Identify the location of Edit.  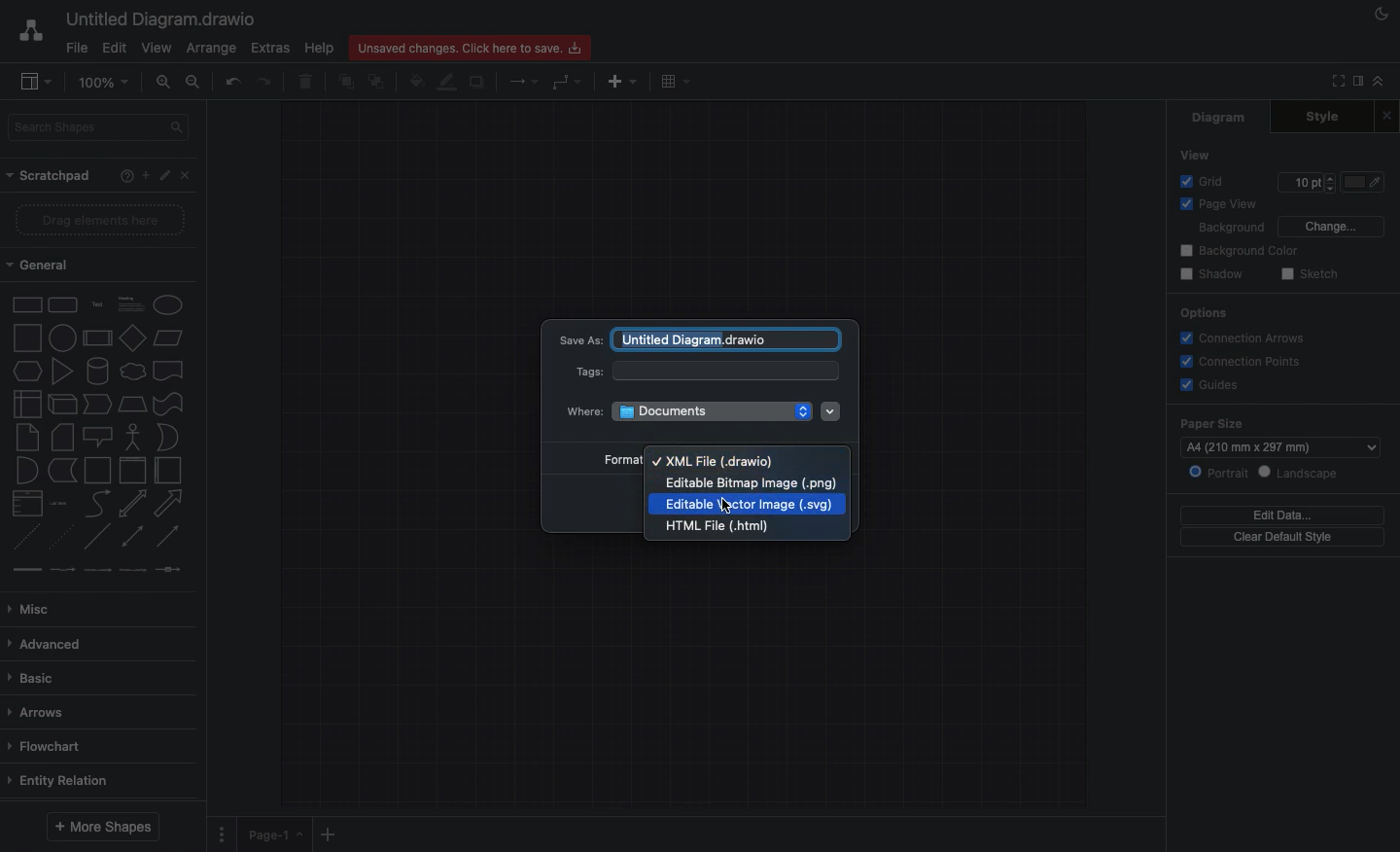
(164, 175).